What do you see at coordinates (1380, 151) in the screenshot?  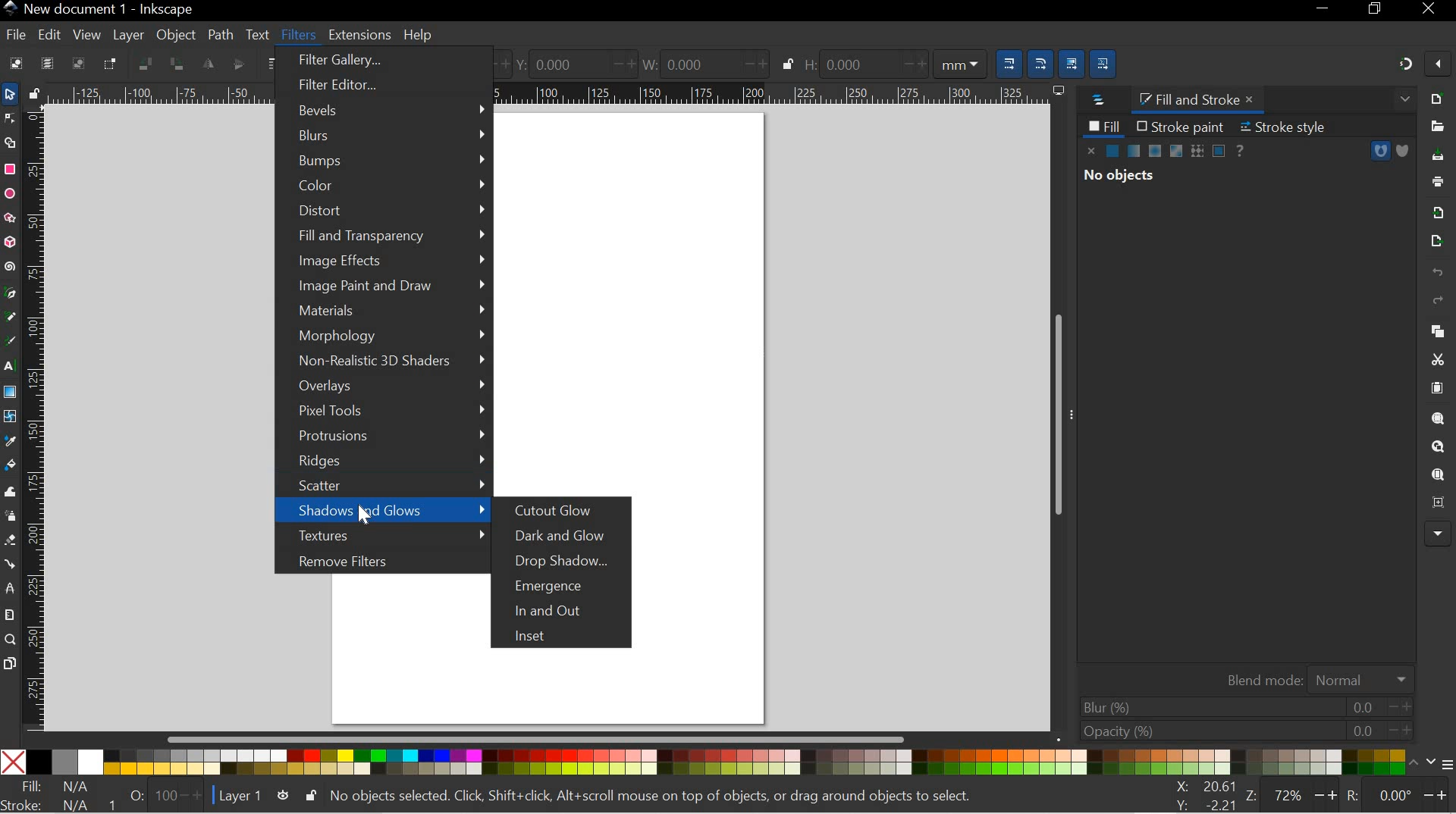 I see `PATH` at bounding box center [1380, 151].